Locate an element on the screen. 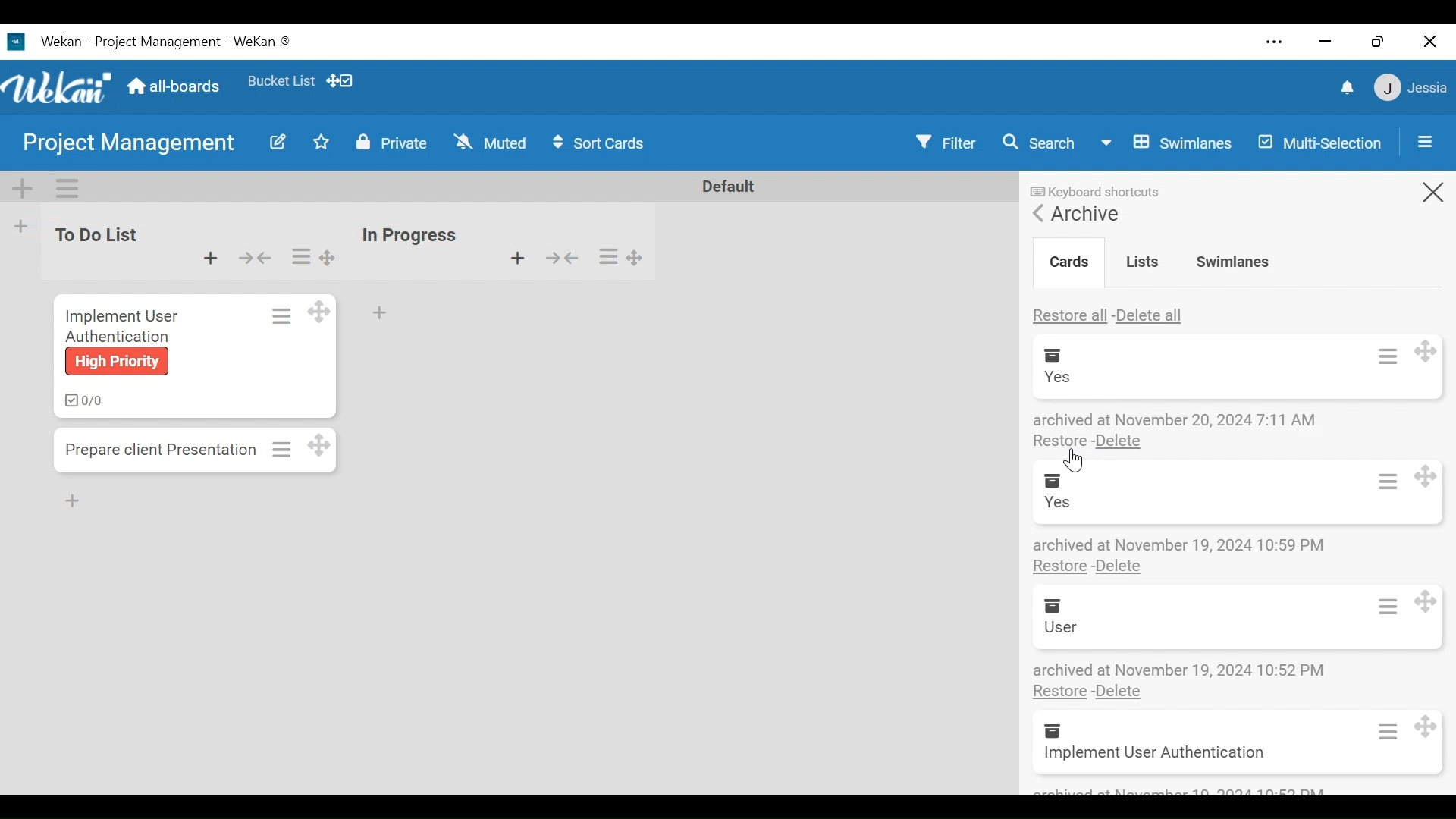  Wekan icon is located at coordinates (19, 42).